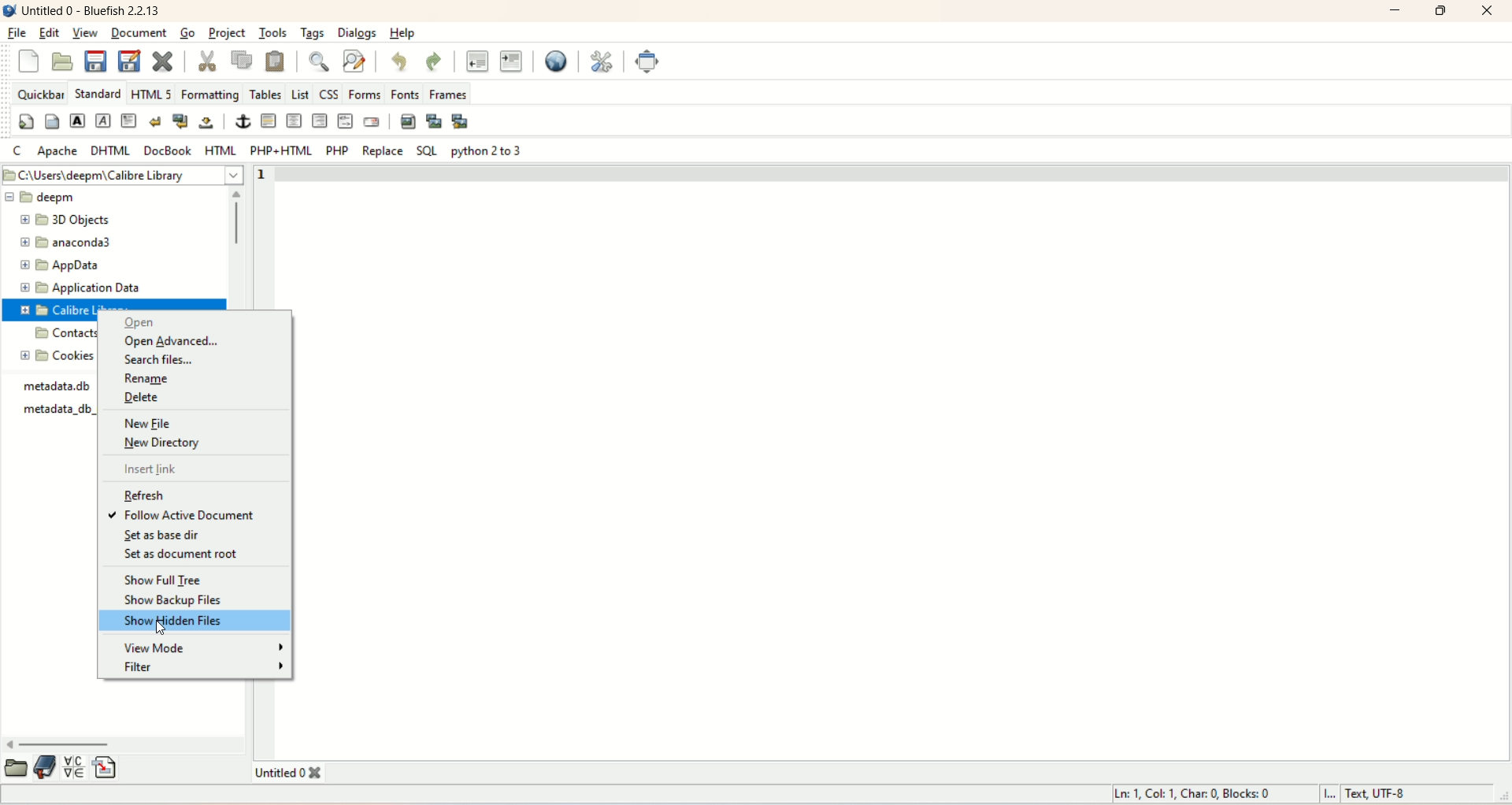 The image size is (1512, 805). Describe the element at coordinates (63, 335) in the screenshot. I see `contacts` at that location.